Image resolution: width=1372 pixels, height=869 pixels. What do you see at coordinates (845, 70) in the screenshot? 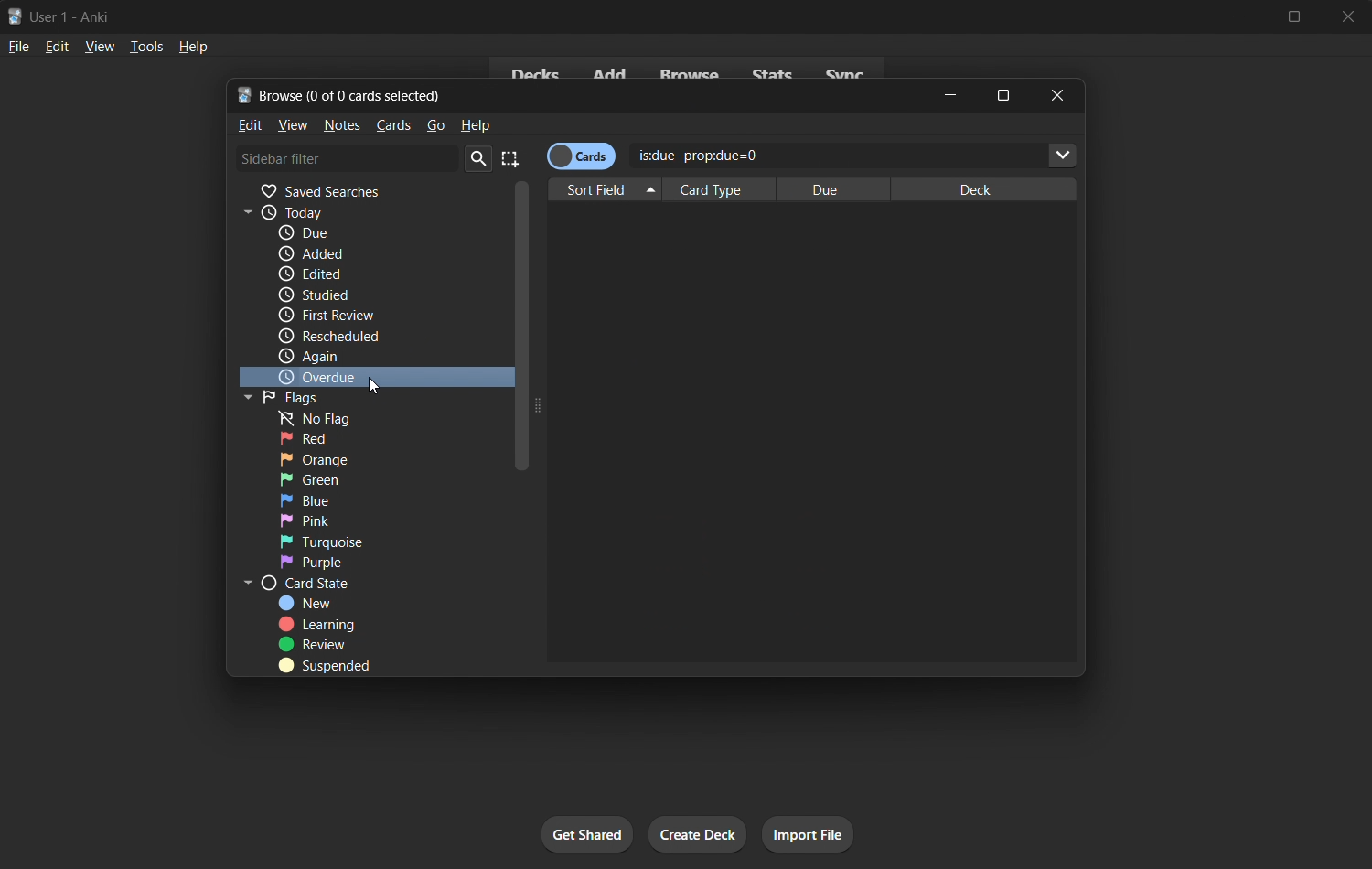
I see `sync` at bounding box center [845, 70].